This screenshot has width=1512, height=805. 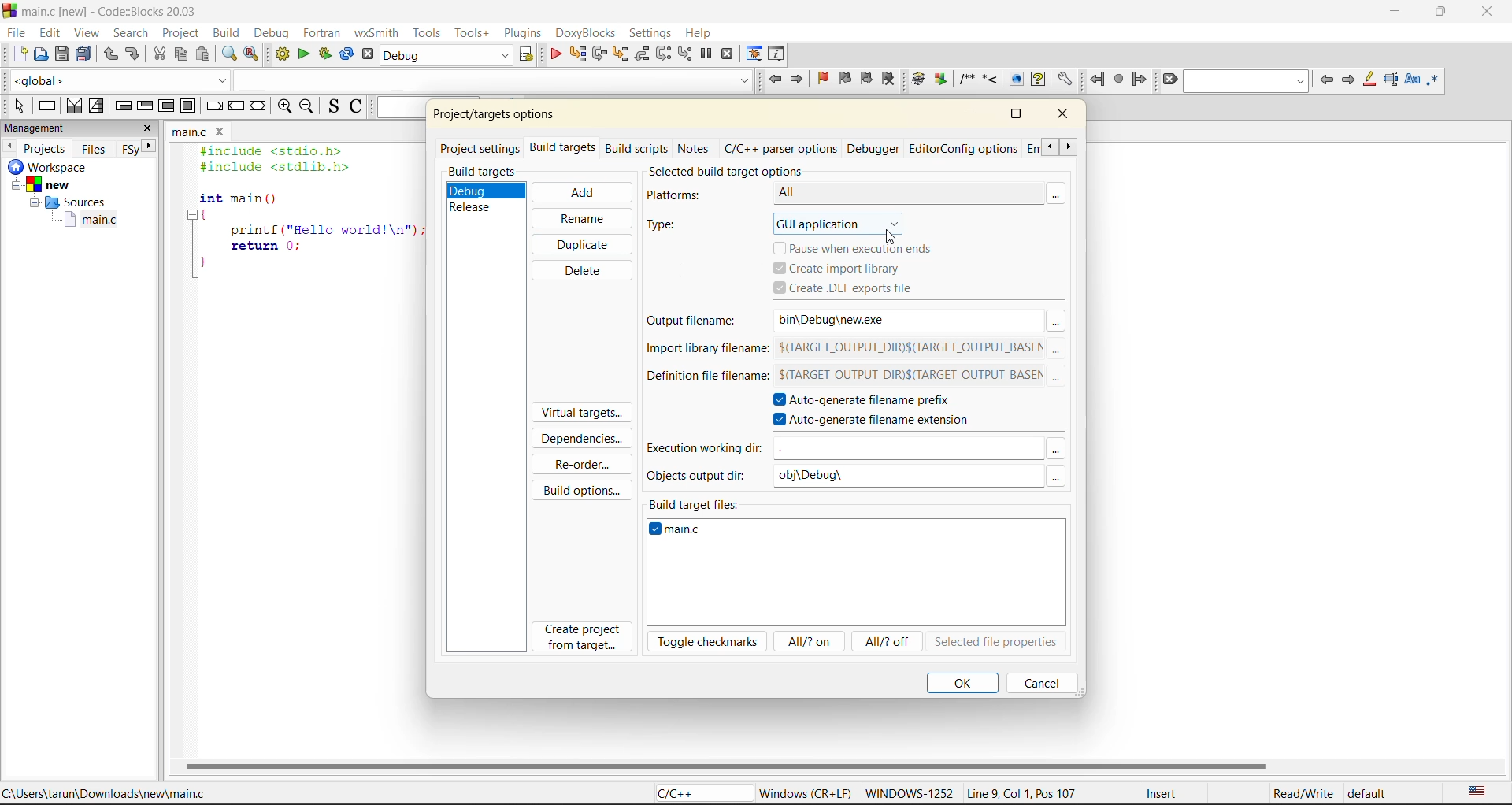 What do you see at coordinates (780, 149) in the screenshot?
I see `c/c++ parser options` at bounding box center [780, 149].